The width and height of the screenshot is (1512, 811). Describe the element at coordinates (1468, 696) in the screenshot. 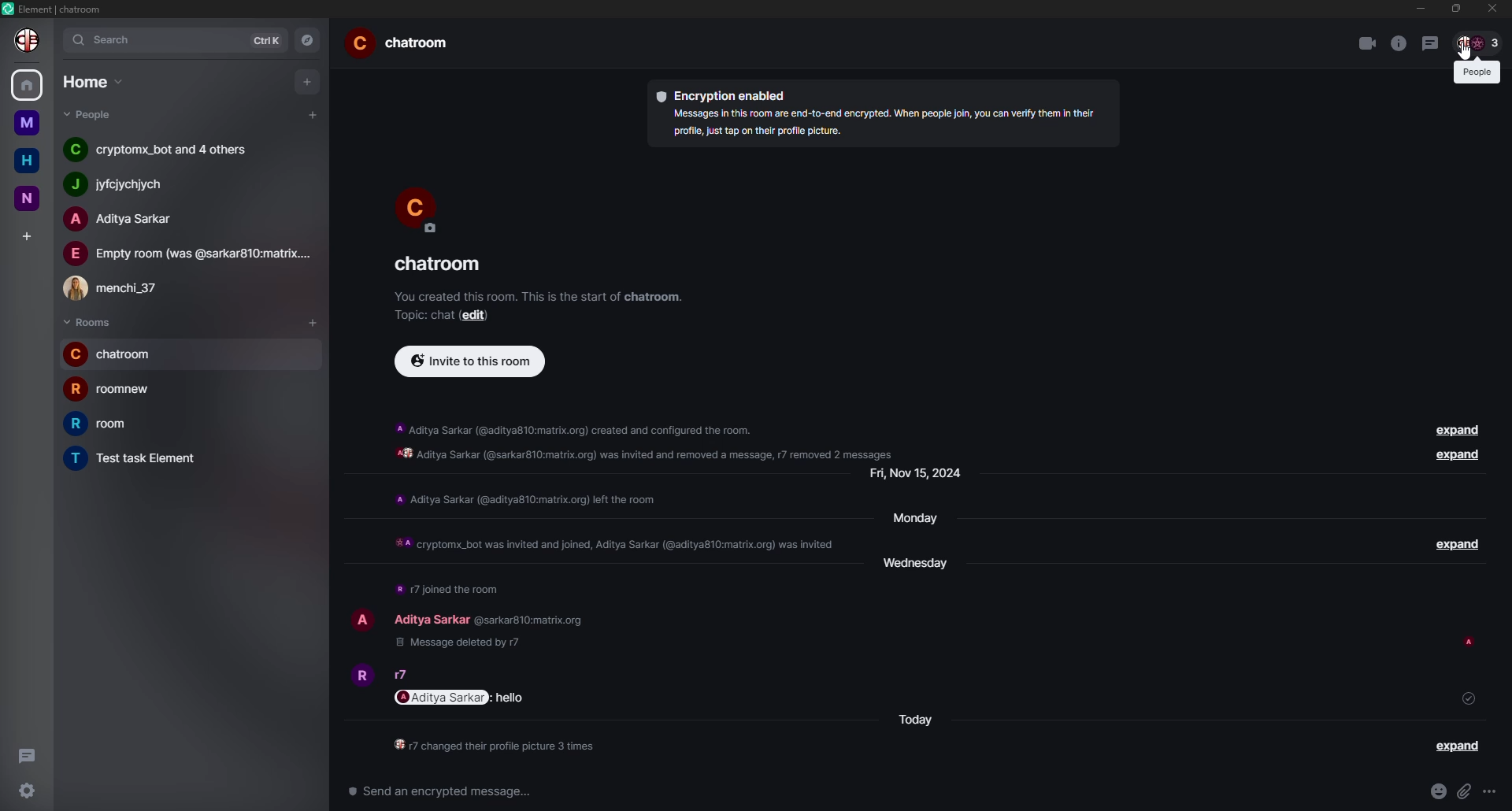

I see `sent` at that location.